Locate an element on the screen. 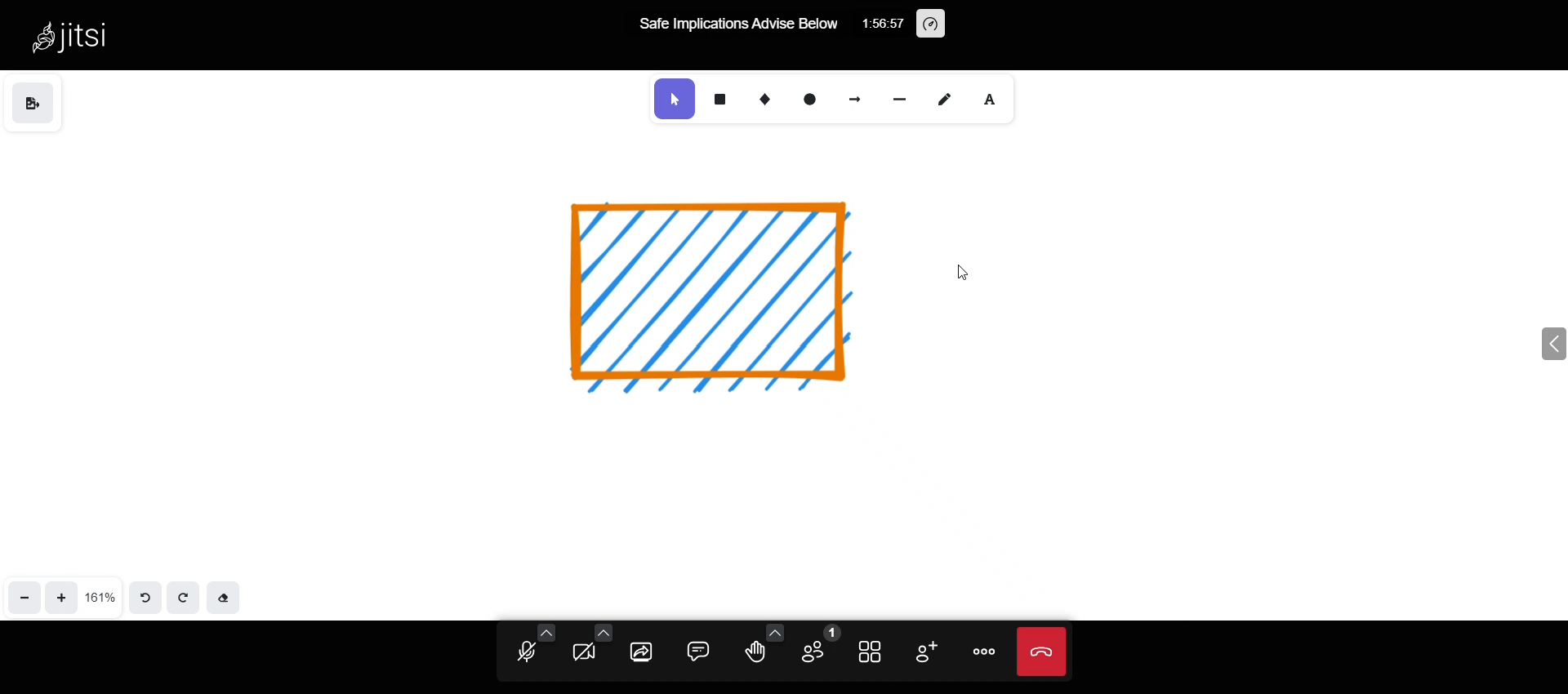 The width and height of the screenshot is (1568, 694). audio setting is located at coordinates (546, 631).